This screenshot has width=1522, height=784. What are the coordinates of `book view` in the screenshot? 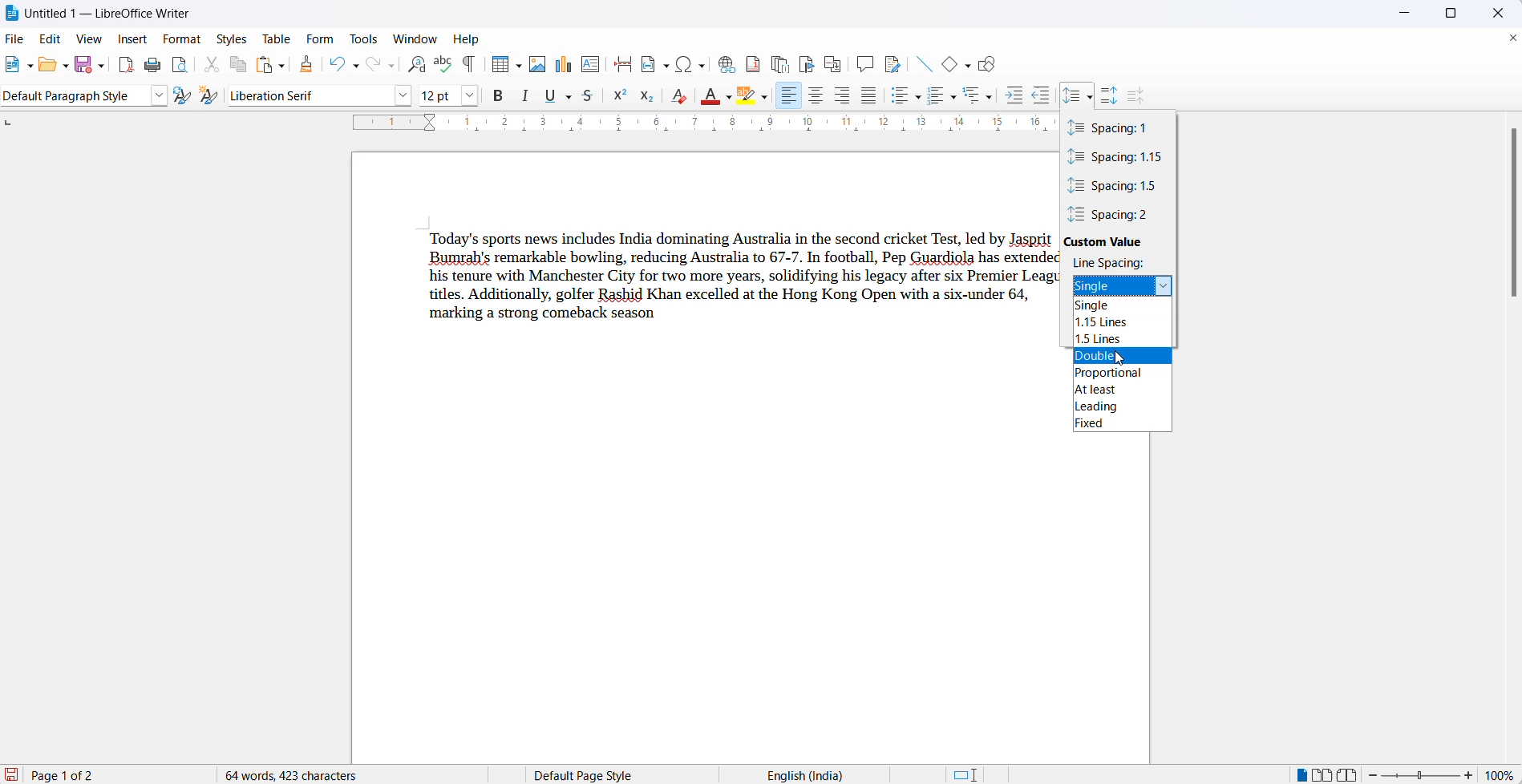 It's located at (1350, 773).